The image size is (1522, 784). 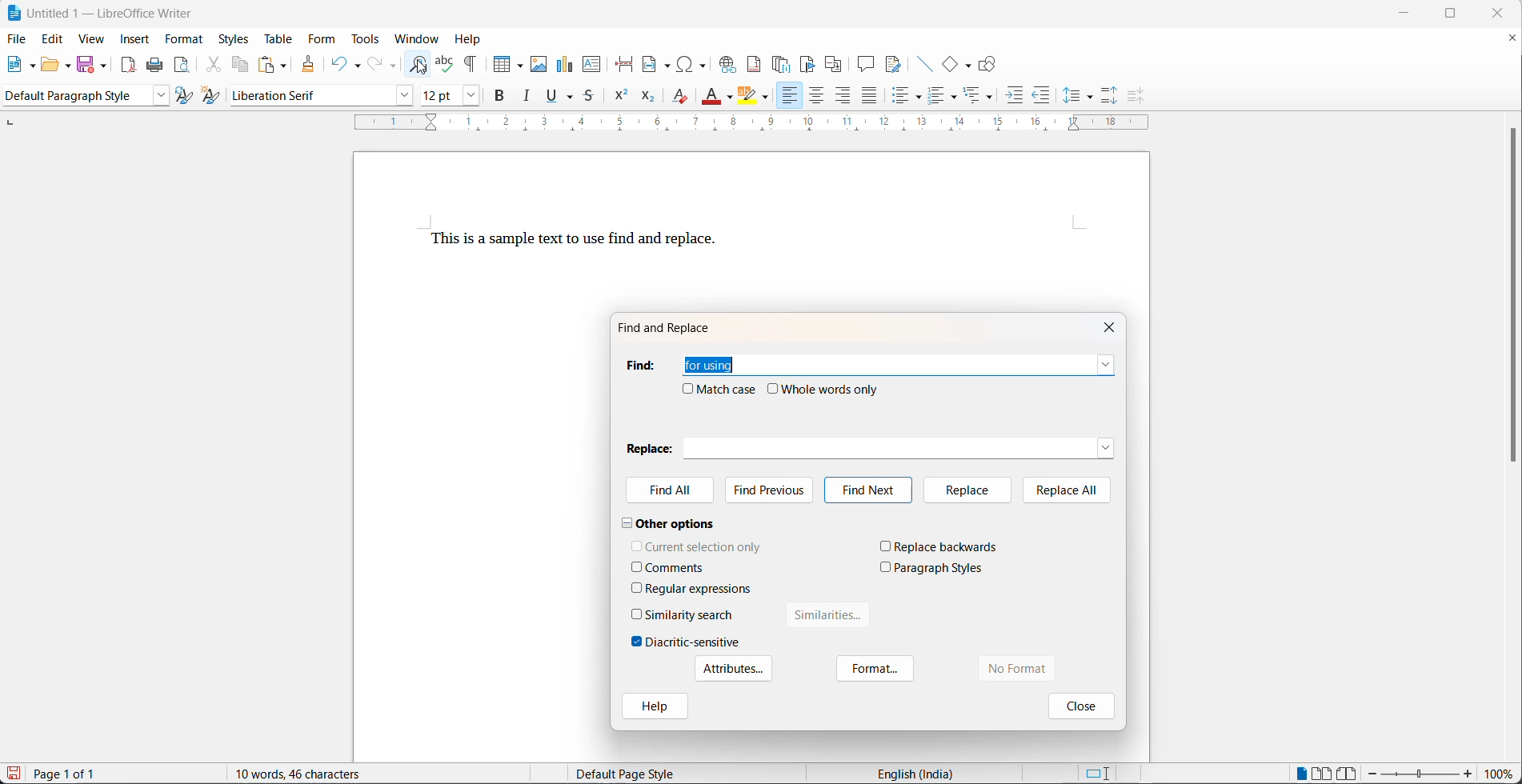 What do you see at coordinates (965, 490) in the screenshot?
I see `replace` at bounding box center [965, 490].